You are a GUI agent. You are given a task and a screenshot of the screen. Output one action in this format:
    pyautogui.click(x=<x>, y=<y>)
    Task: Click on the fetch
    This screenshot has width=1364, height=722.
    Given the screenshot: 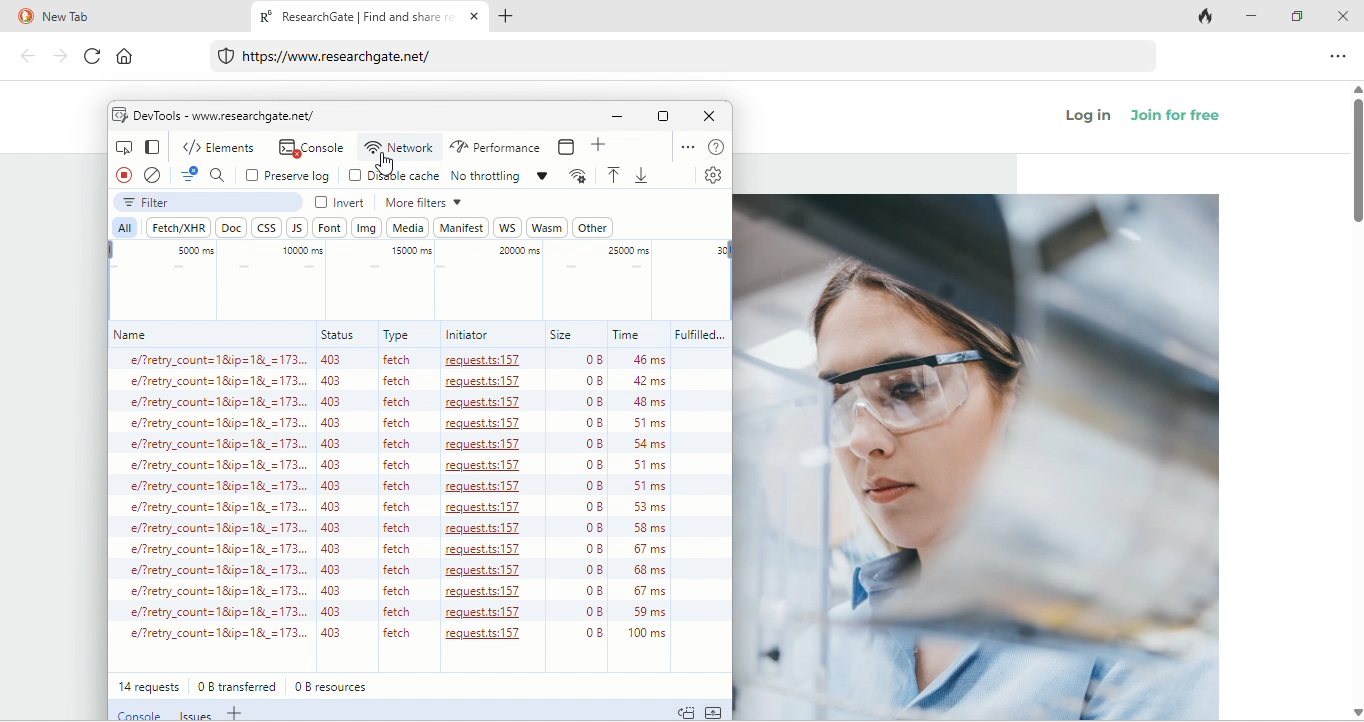 What is the action you would take?
    pyautogui.click(x=177, y=226)
    